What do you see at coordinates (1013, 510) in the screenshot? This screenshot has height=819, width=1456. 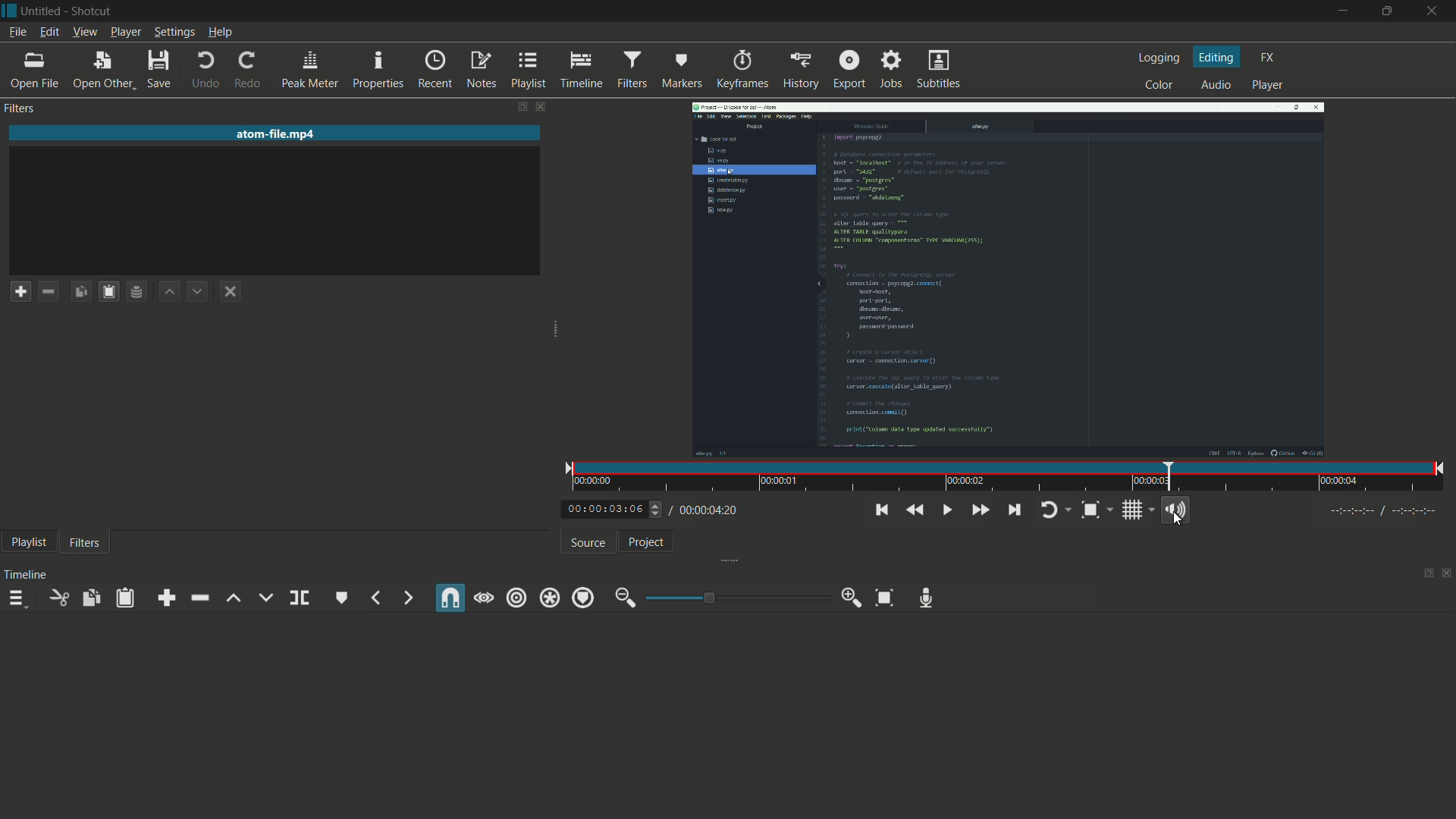 I see `skip to the next point` at bounding box center [1013, 510].